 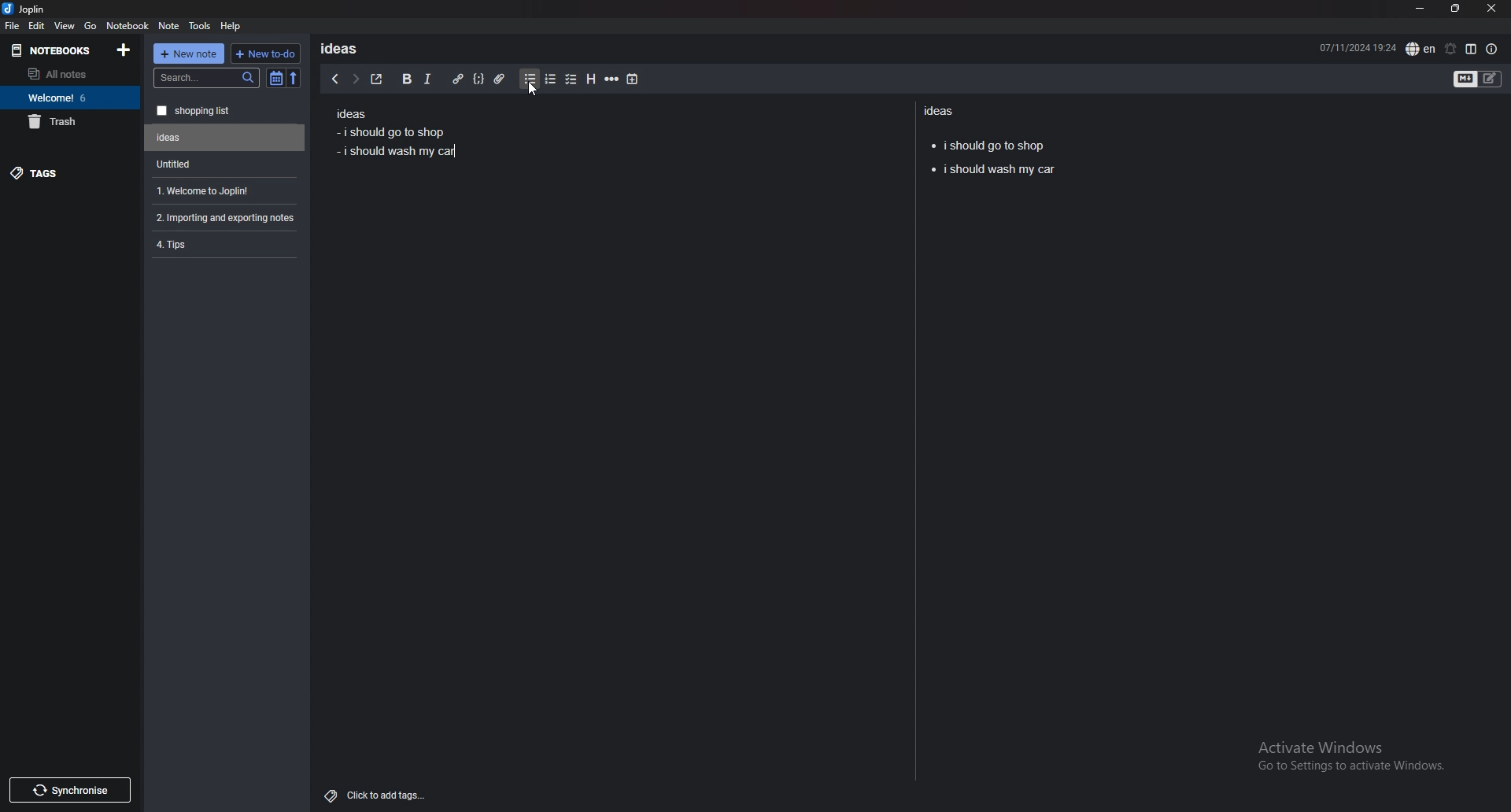 I want to click on Synchronise, so click(x=69, y=790).